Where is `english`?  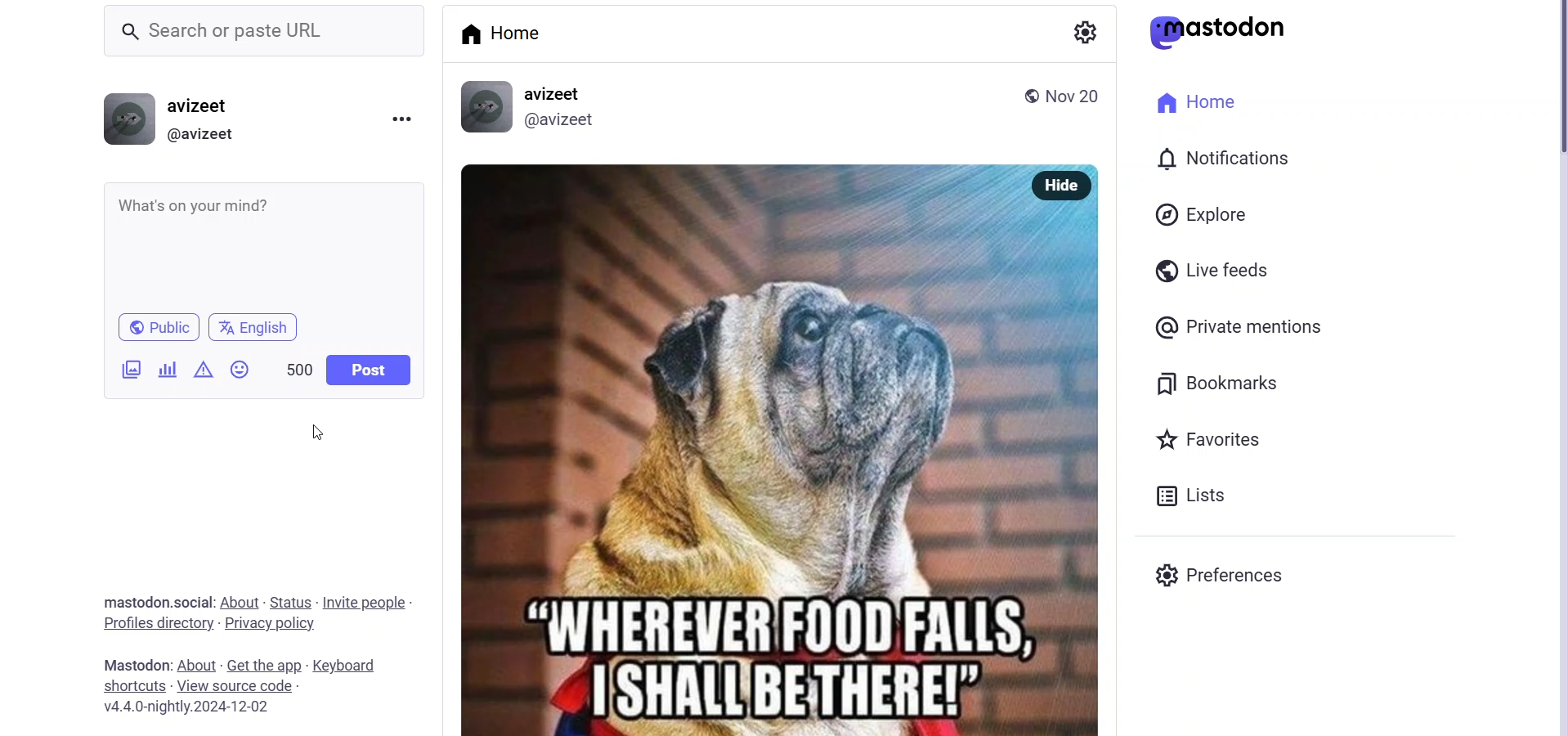
english is located at coordinates (258, 327).